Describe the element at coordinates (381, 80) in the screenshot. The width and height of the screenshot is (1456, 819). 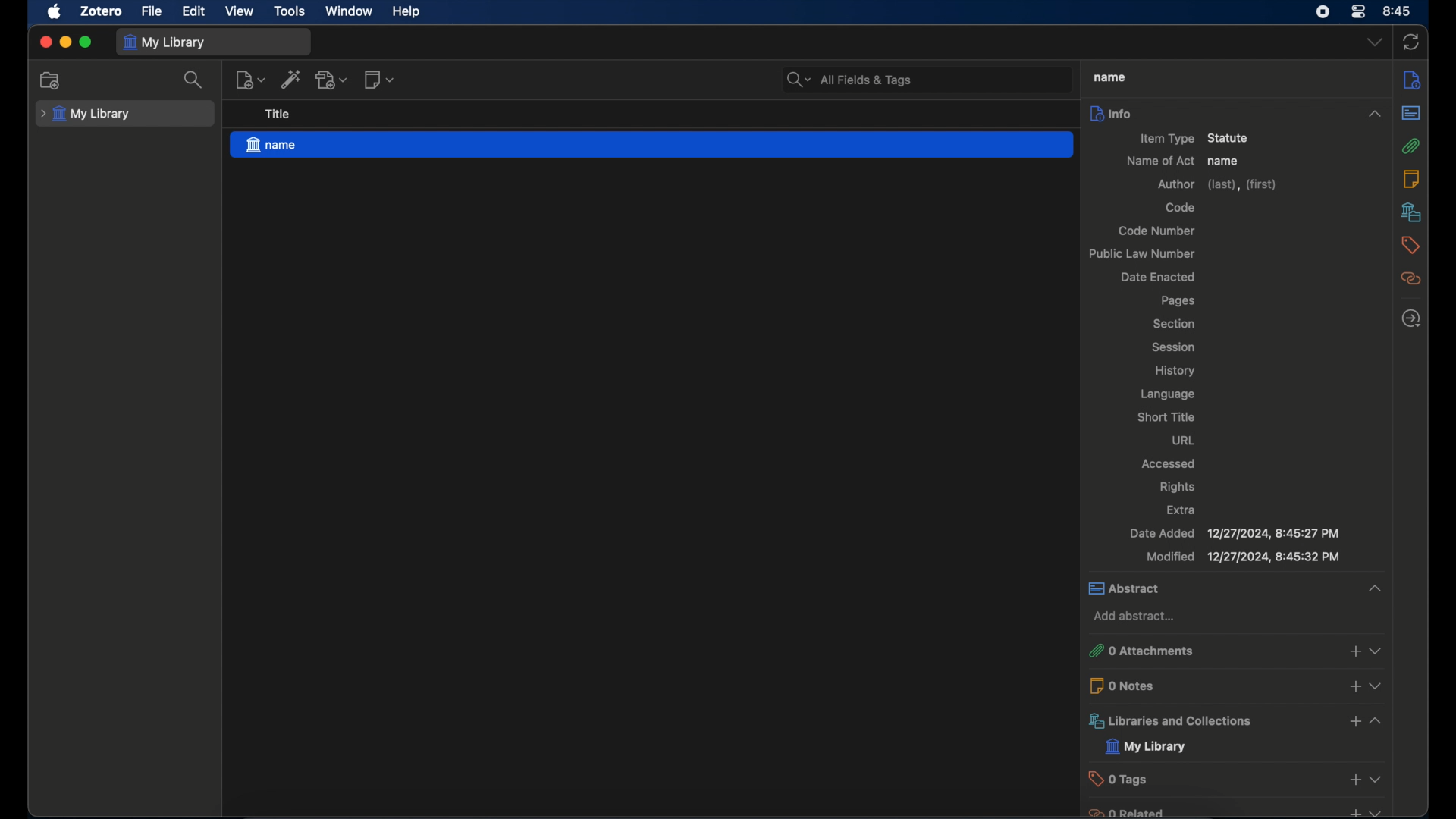
I see `new note` at that location.